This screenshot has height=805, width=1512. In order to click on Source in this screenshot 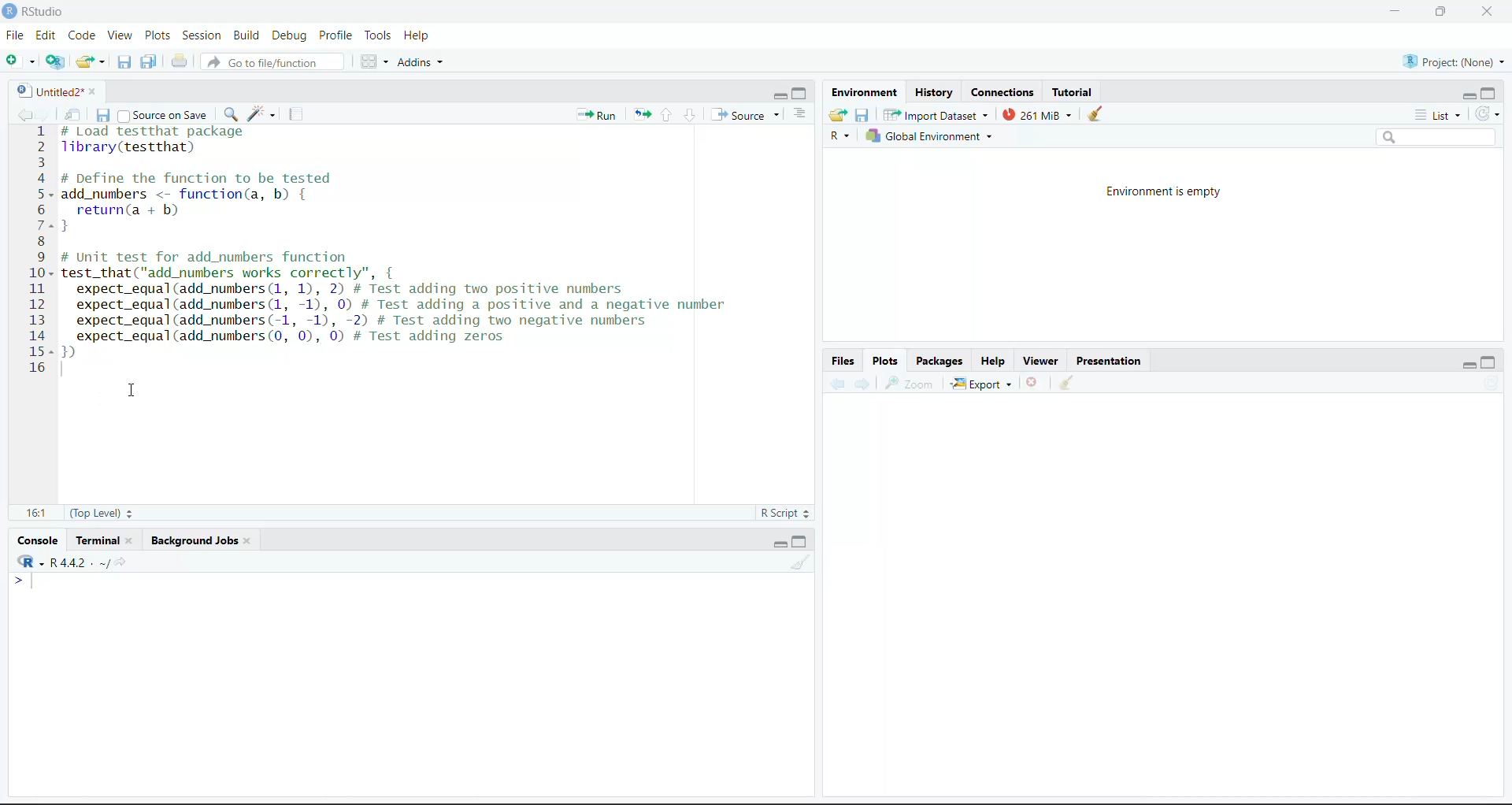, I will do `click(747, 113)`.